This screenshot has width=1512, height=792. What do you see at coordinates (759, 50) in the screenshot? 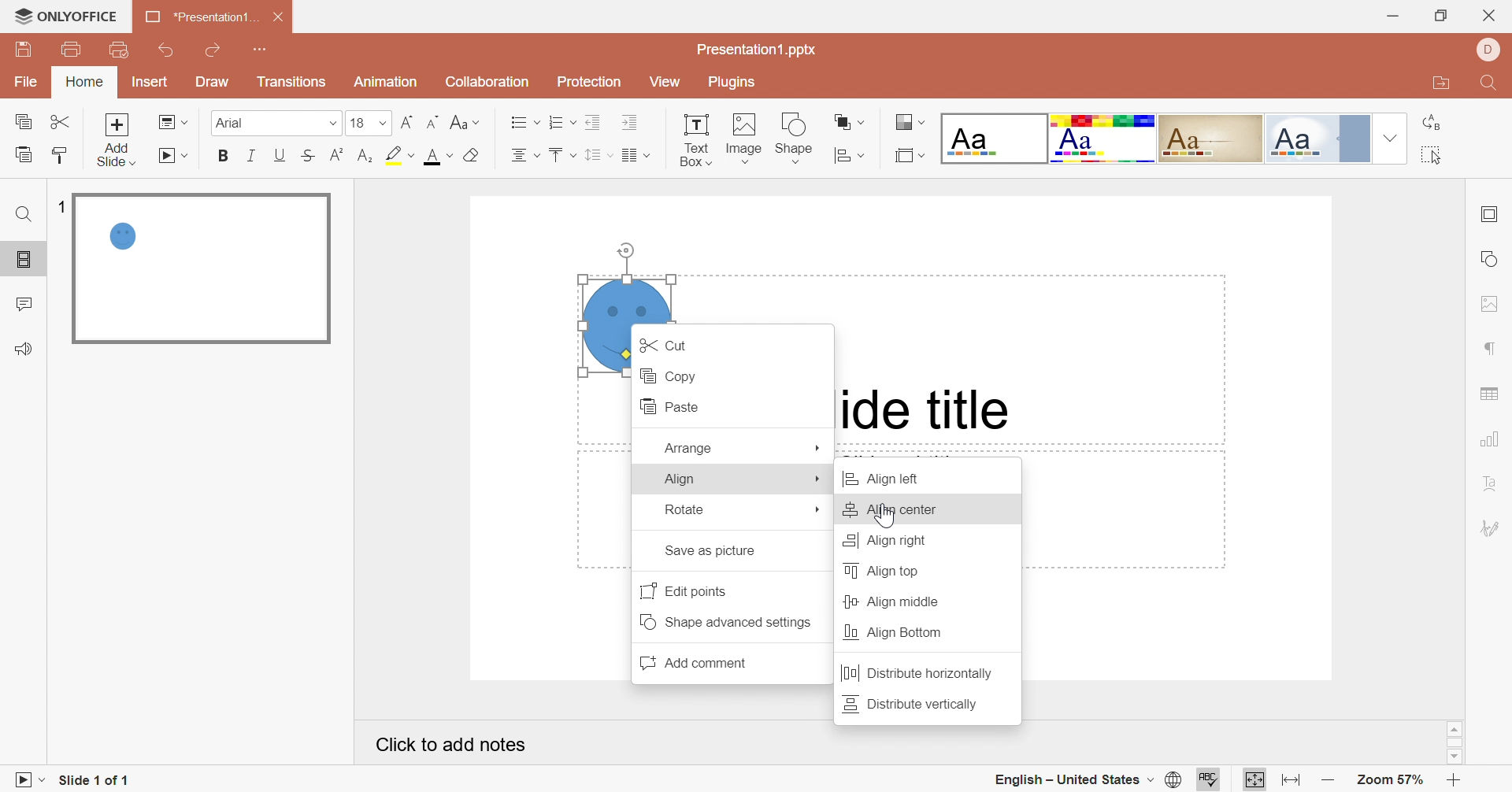
I see `Presentation1.pptx` at bounding box center [759, 50].